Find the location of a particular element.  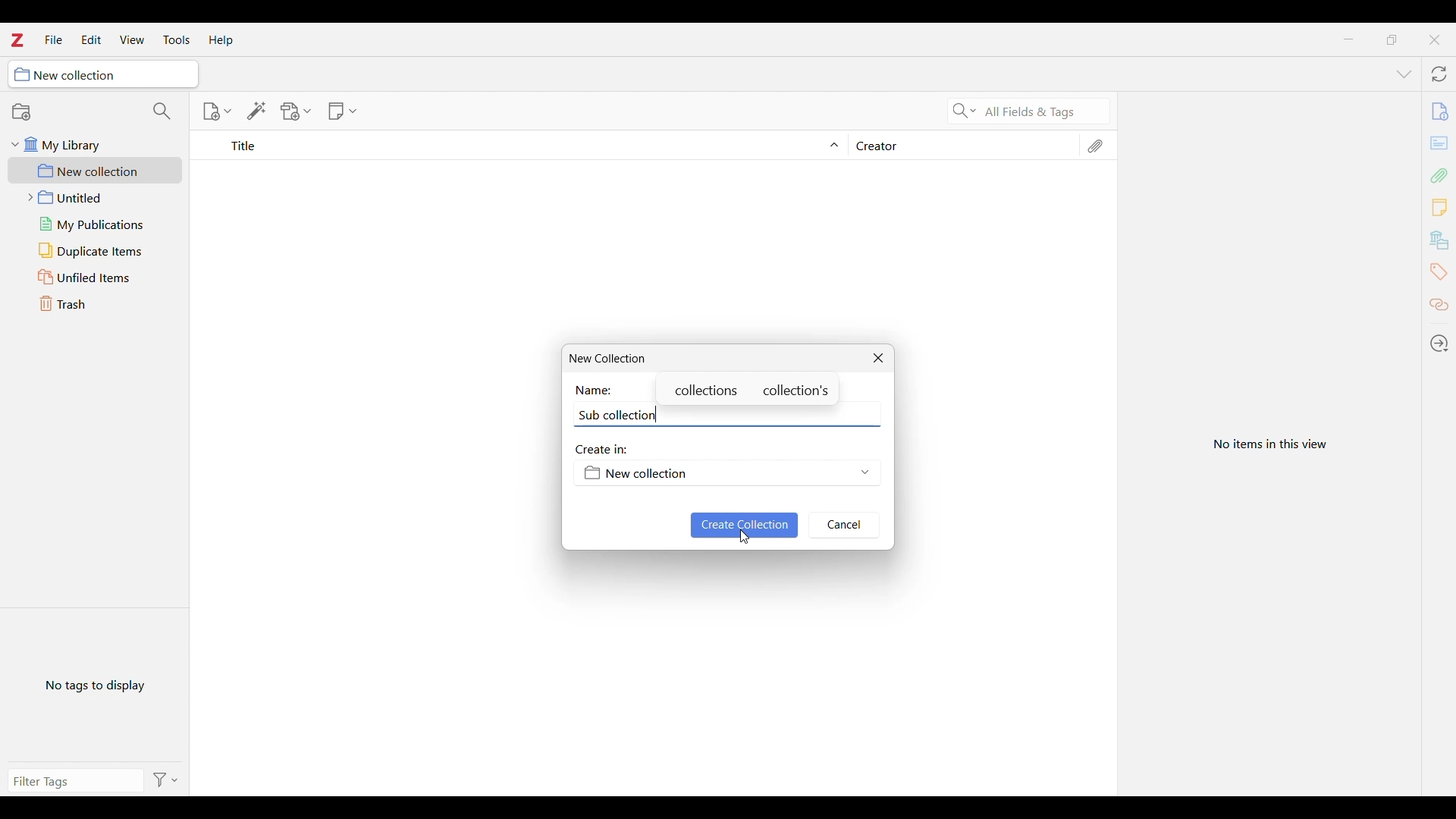

New collection folder is located at coordinates (95, 171).